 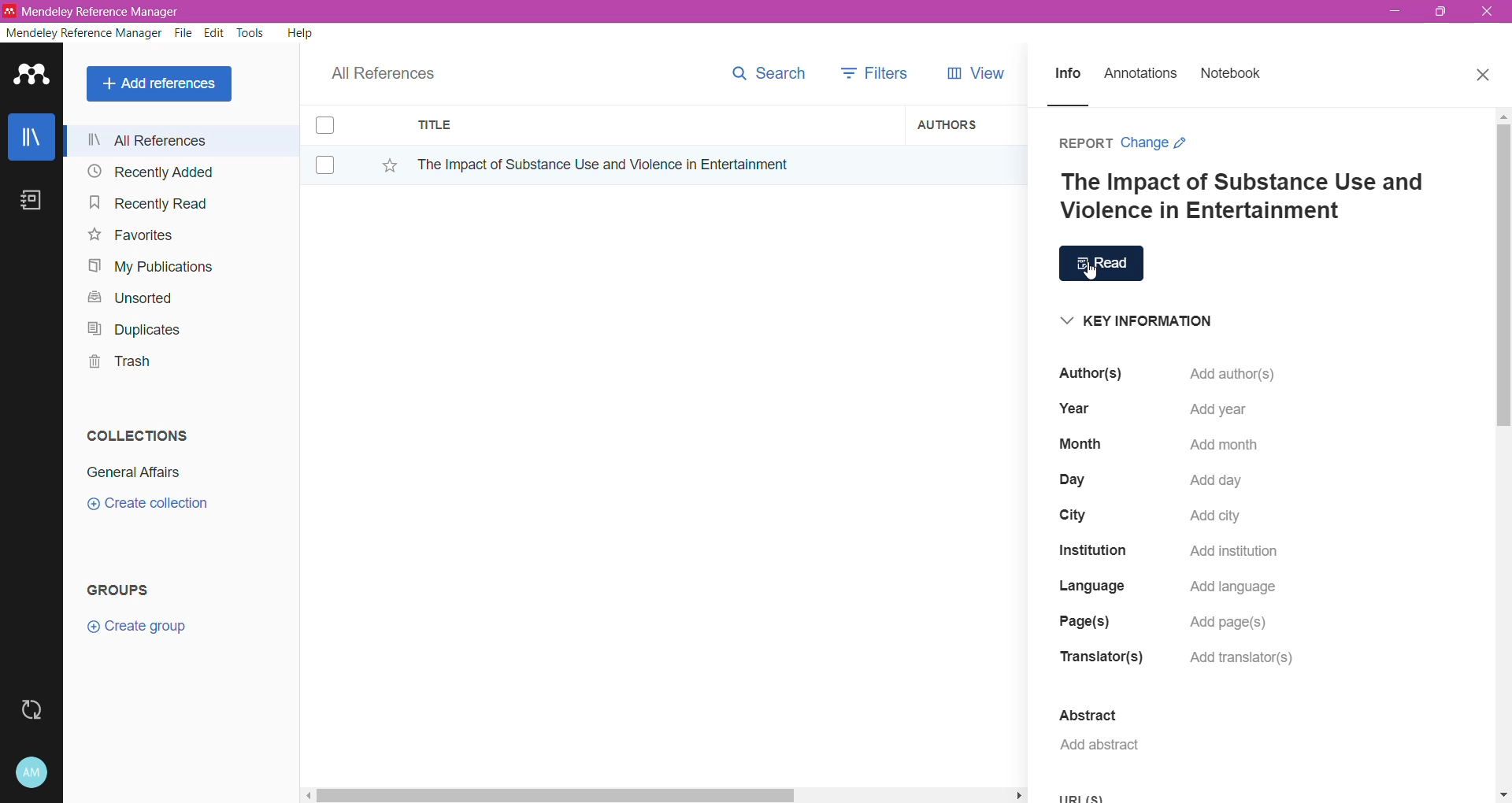 I want to click on Horizontal Scroll Bar, so click(x=662, y=795).